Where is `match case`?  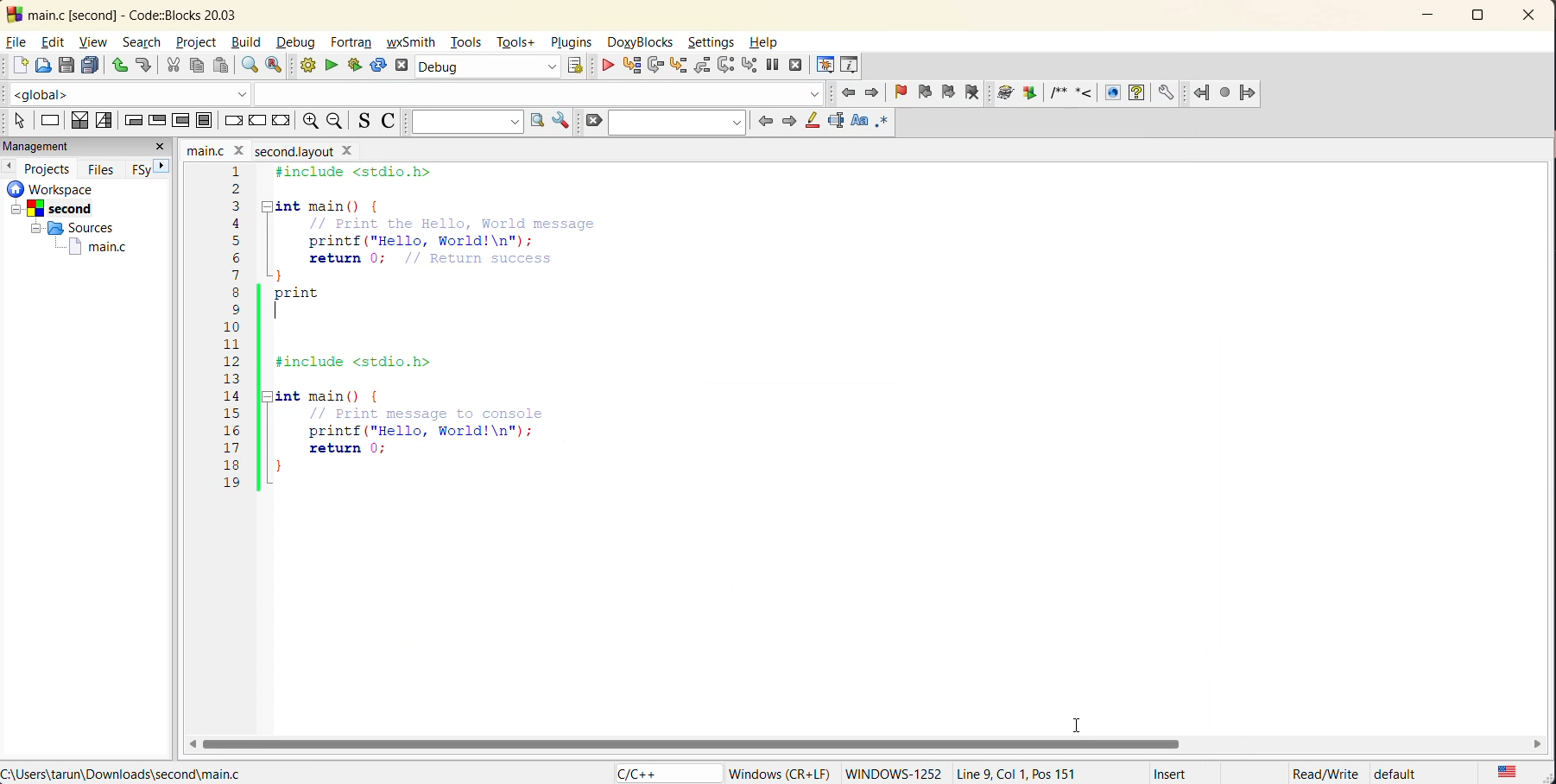
match case is located at coordinates (860, 119).